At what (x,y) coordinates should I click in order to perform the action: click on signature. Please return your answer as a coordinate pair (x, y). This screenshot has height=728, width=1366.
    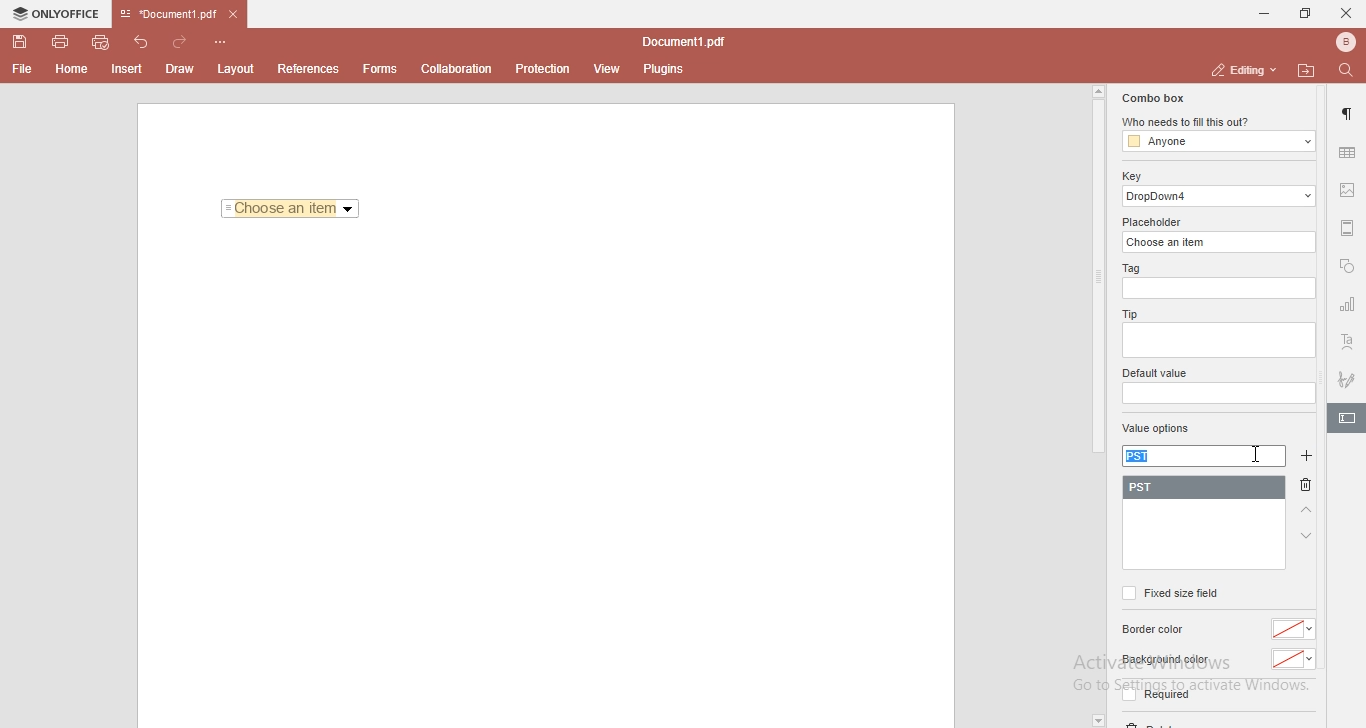
    Looking at the image, I should click on (1348, 376).